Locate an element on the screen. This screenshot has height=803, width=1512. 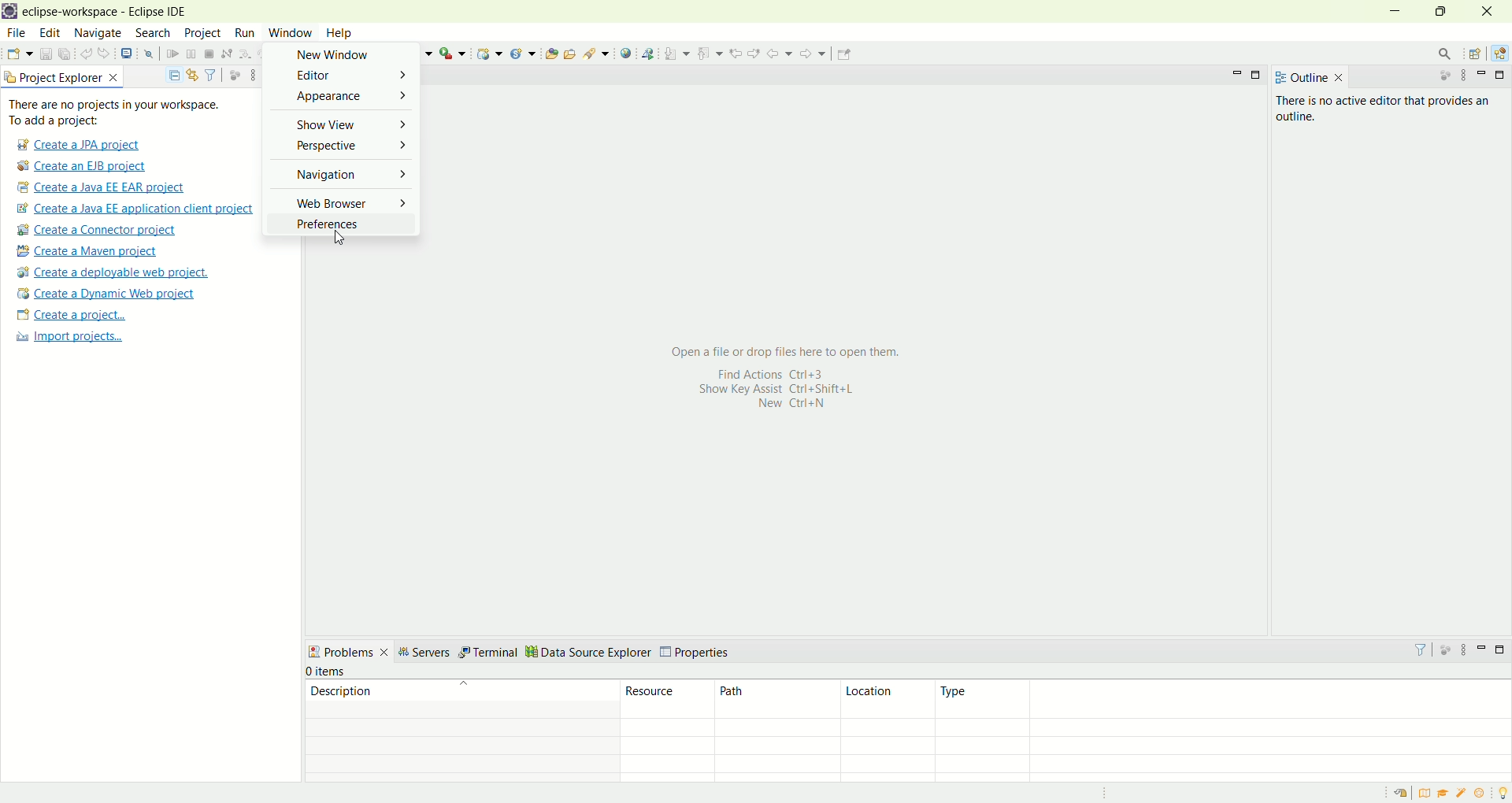
There are no projects in your workspace. To add a project: is located at coordinates (118, 113).